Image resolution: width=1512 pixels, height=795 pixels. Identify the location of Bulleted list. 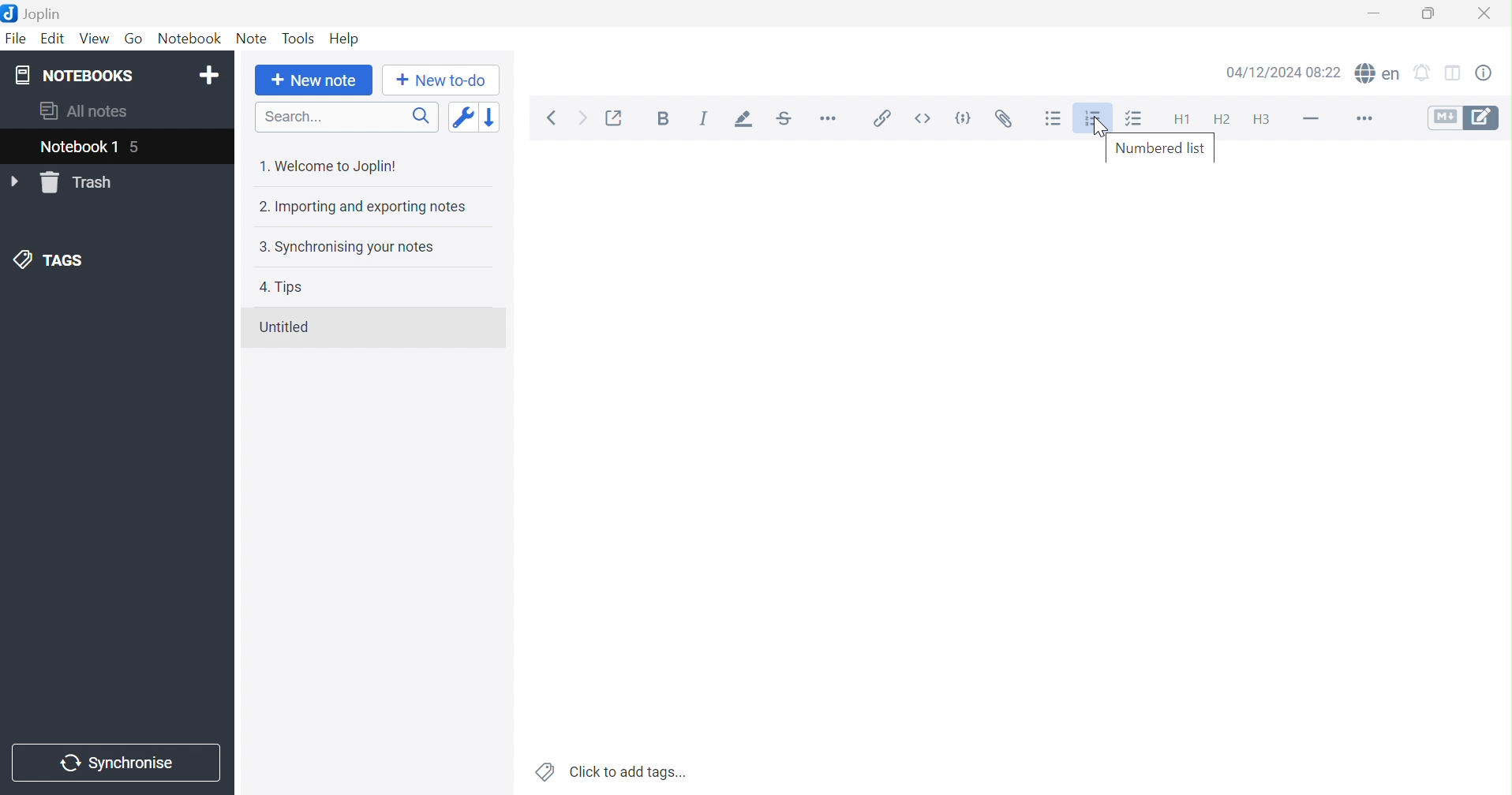
(1054, 118).